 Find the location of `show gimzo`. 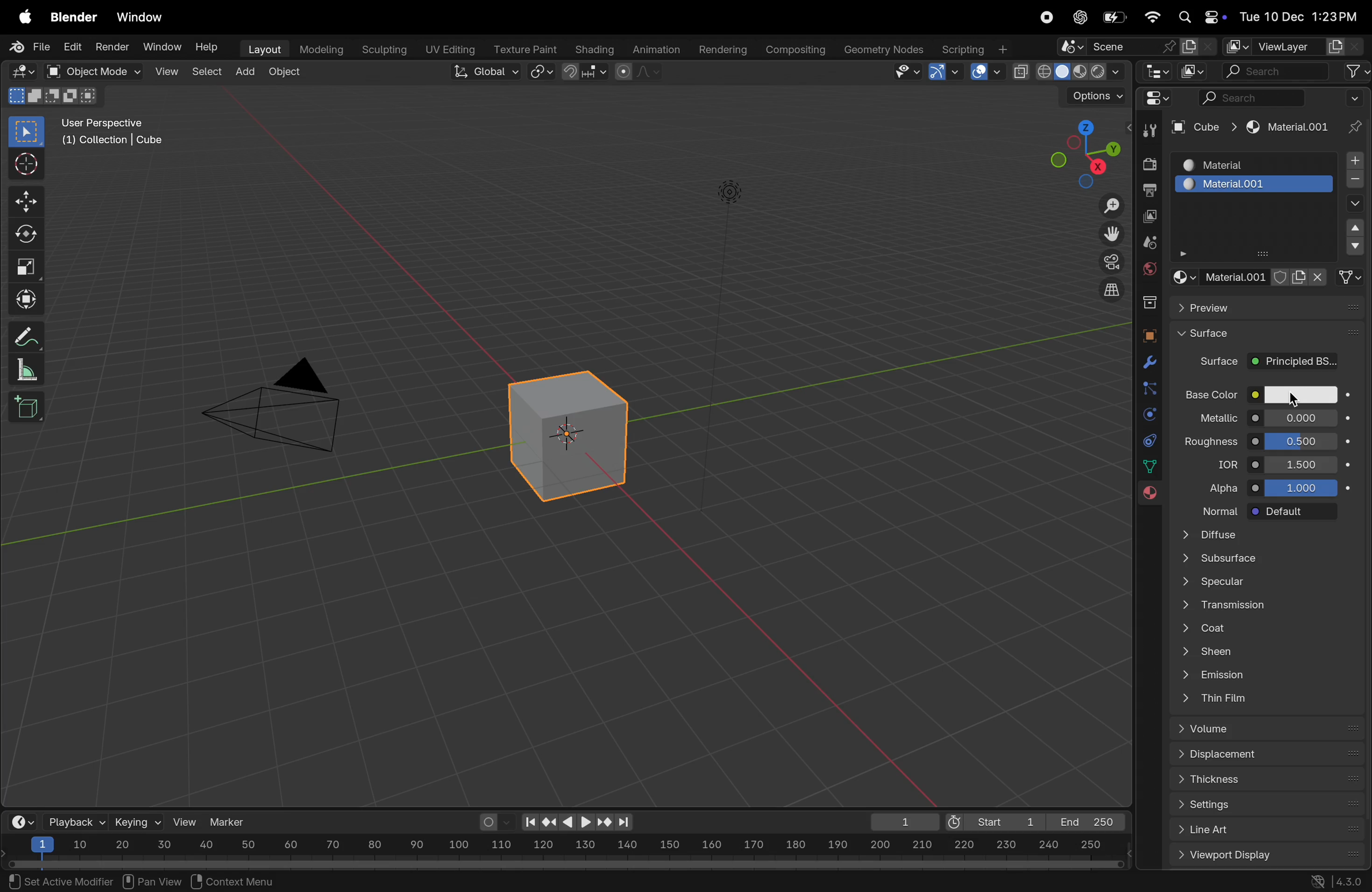

show gimzo is located at coordinates (946, 71).